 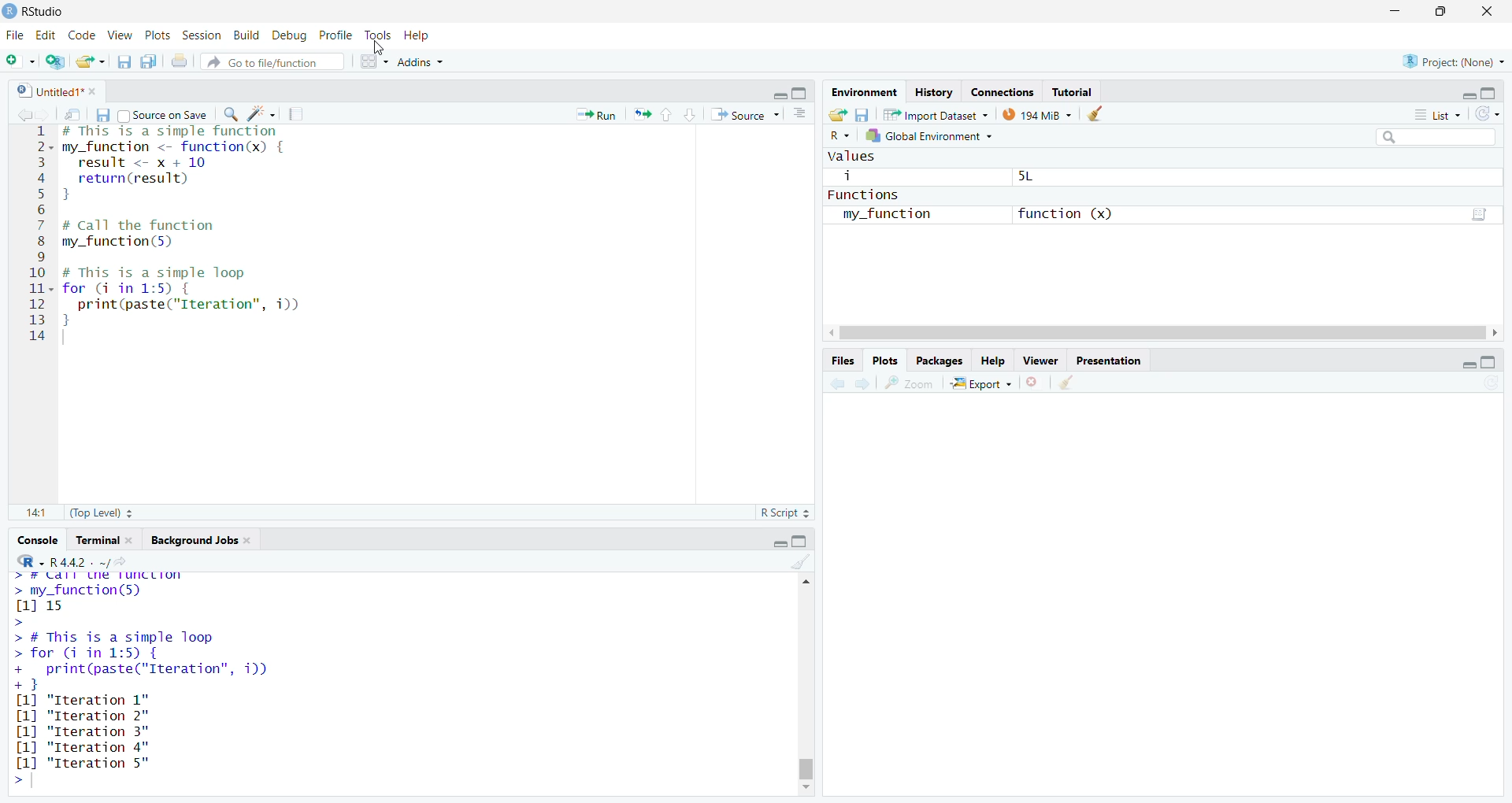 I want to click on functions, so click(x=876, y=194).